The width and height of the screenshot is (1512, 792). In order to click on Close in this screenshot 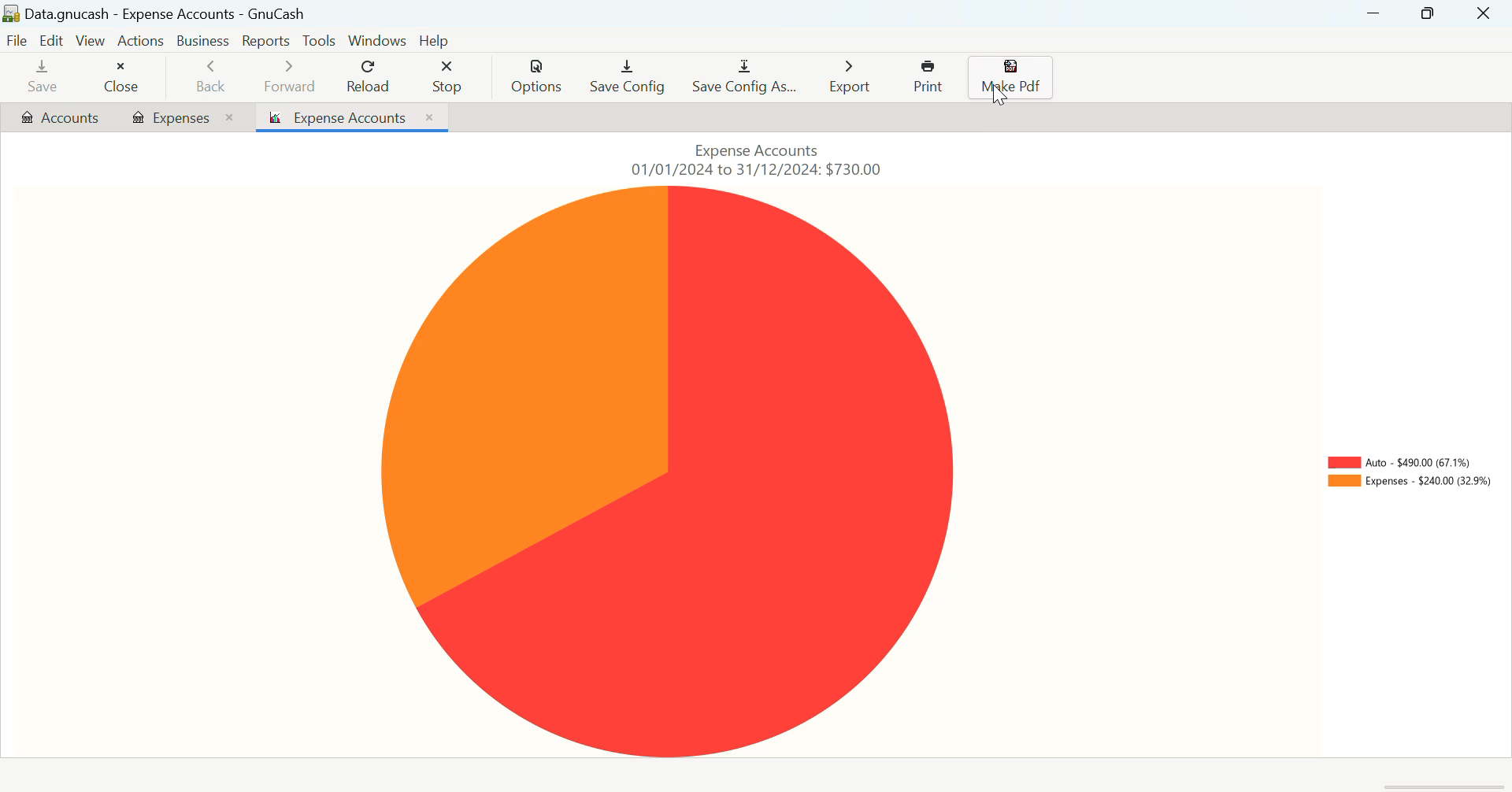, I will do `click(124, 79)`.